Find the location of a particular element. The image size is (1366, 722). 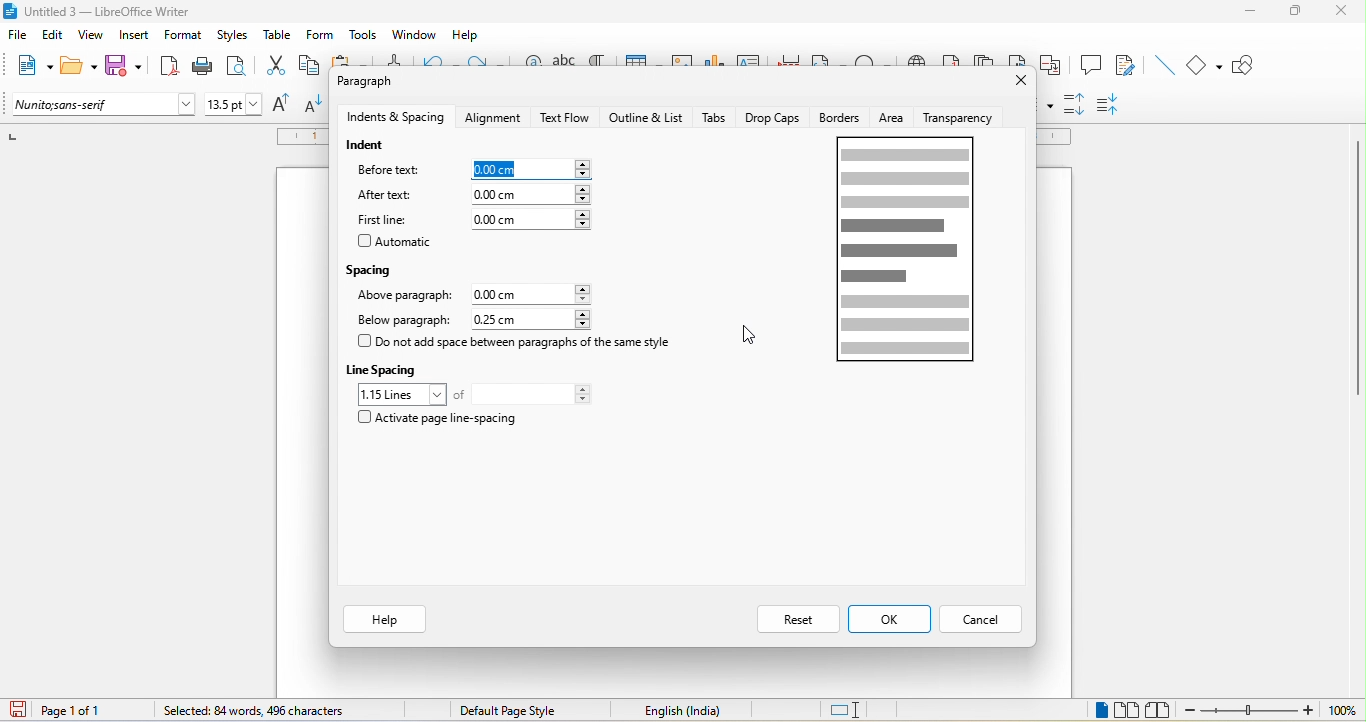

cut is located at coordinates (276, 67).